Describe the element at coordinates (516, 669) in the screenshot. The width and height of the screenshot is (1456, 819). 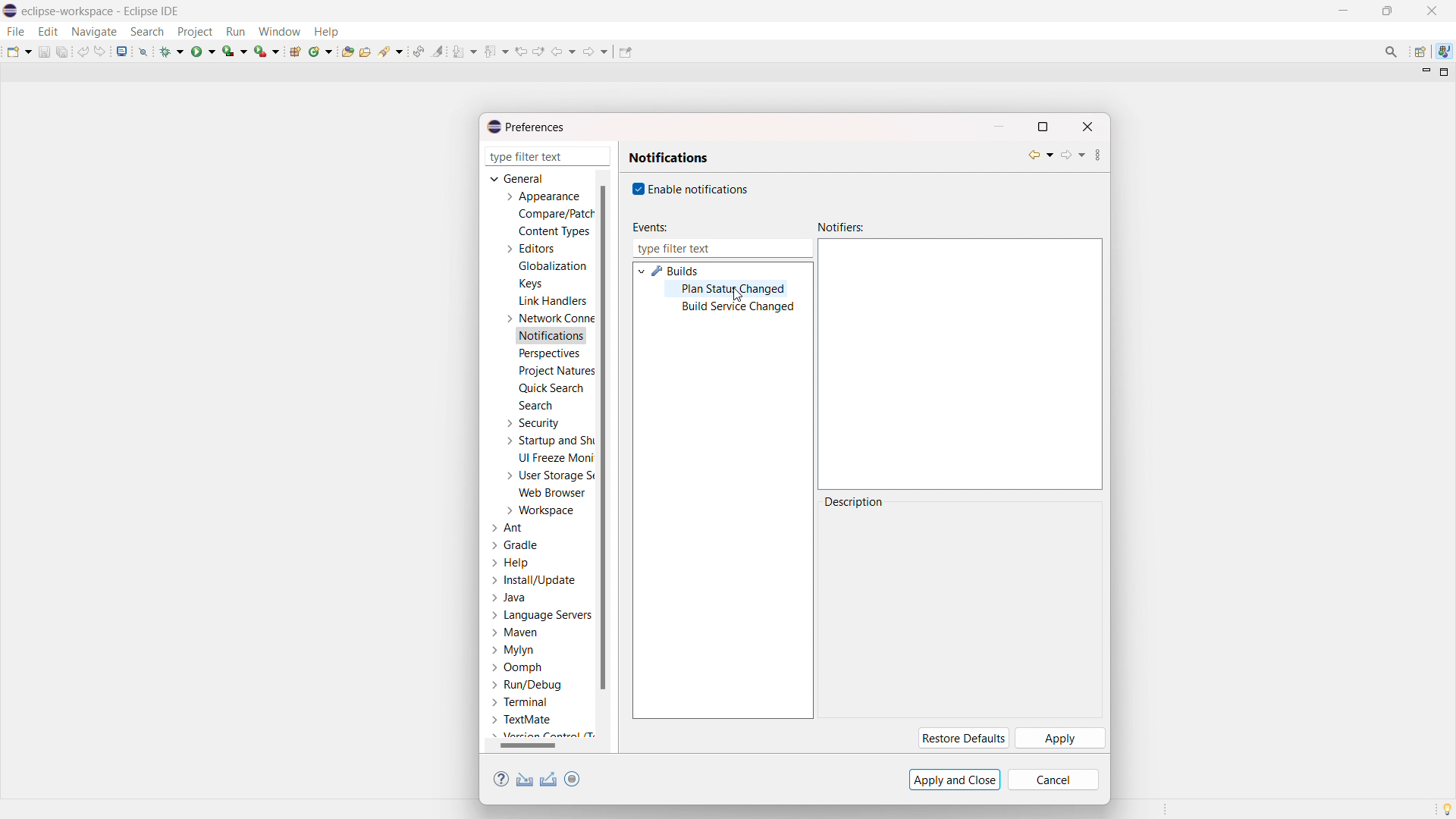
I see `oomph` at that location.